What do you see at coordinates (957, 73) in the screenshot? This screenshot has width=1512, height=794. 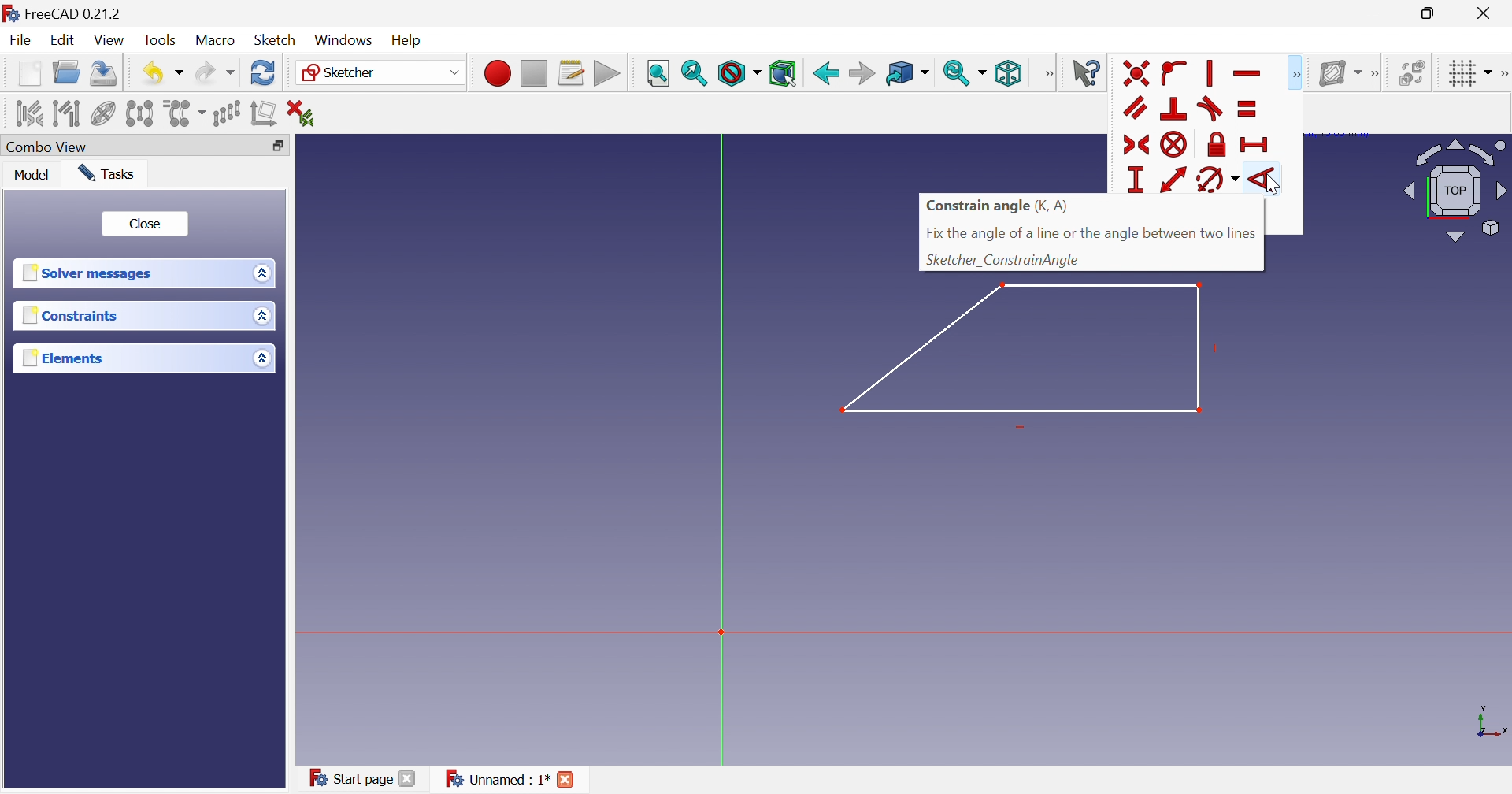 I see `Sync view` at bounding box center [957, 73].